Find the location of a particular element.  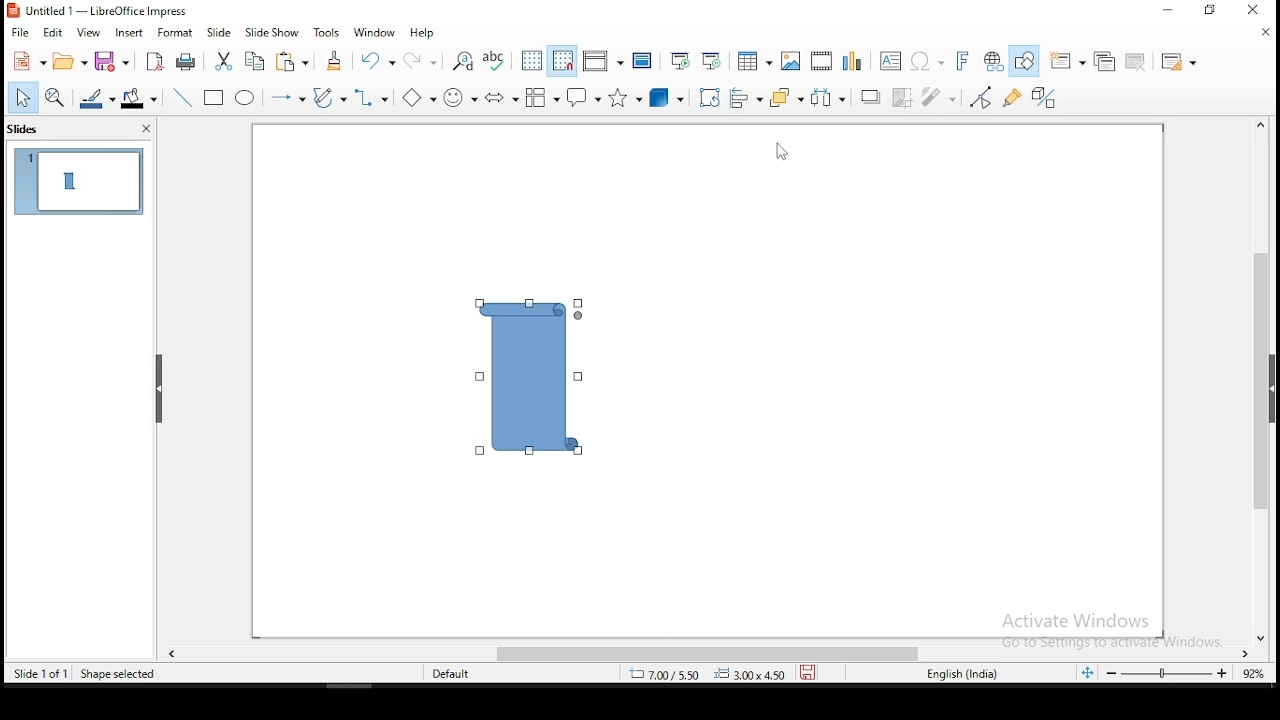

show draw functions is located at coordinates (1027, 61).